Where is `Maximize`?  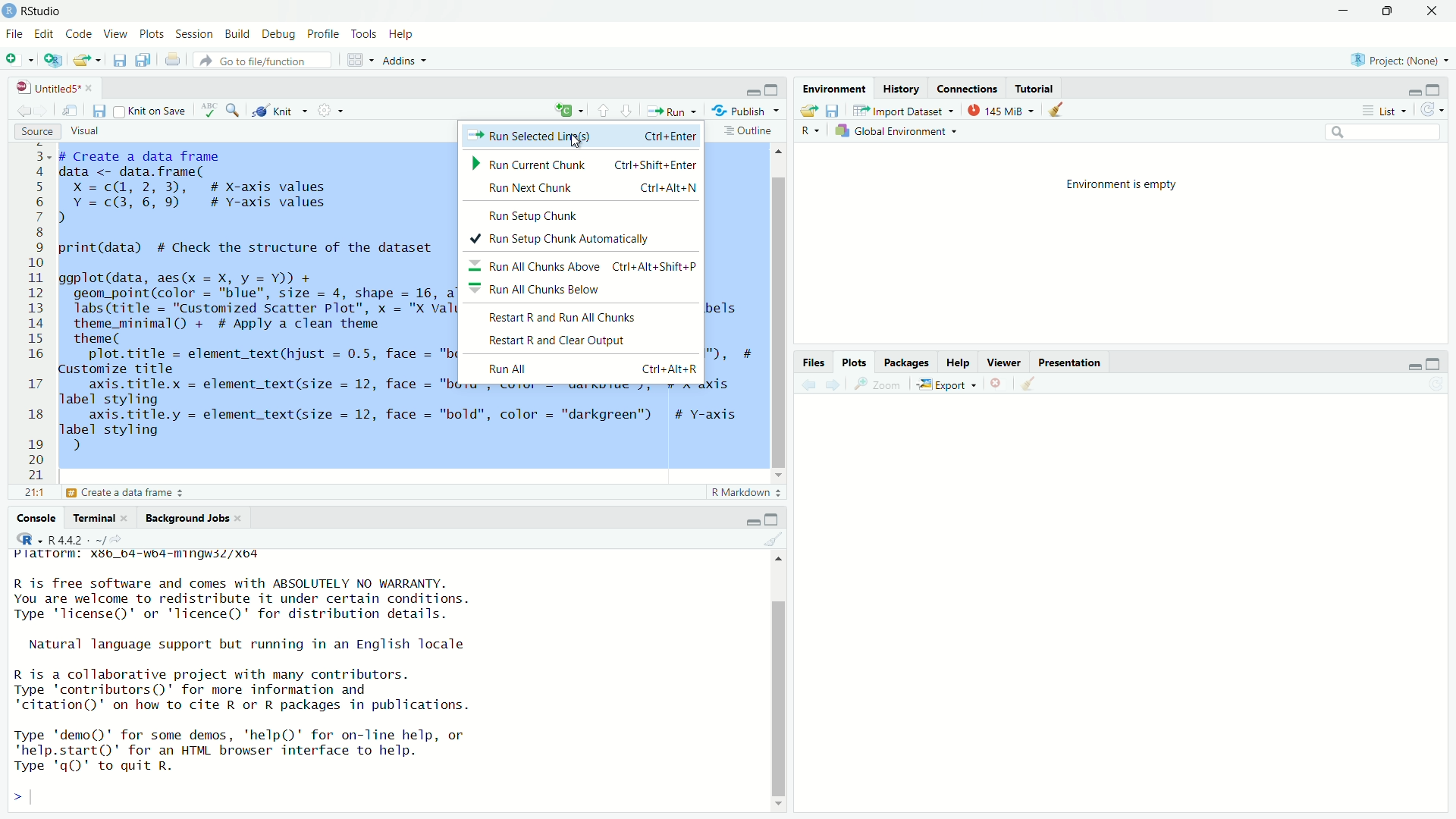
Maximize is located at coordinates (1433, 89).